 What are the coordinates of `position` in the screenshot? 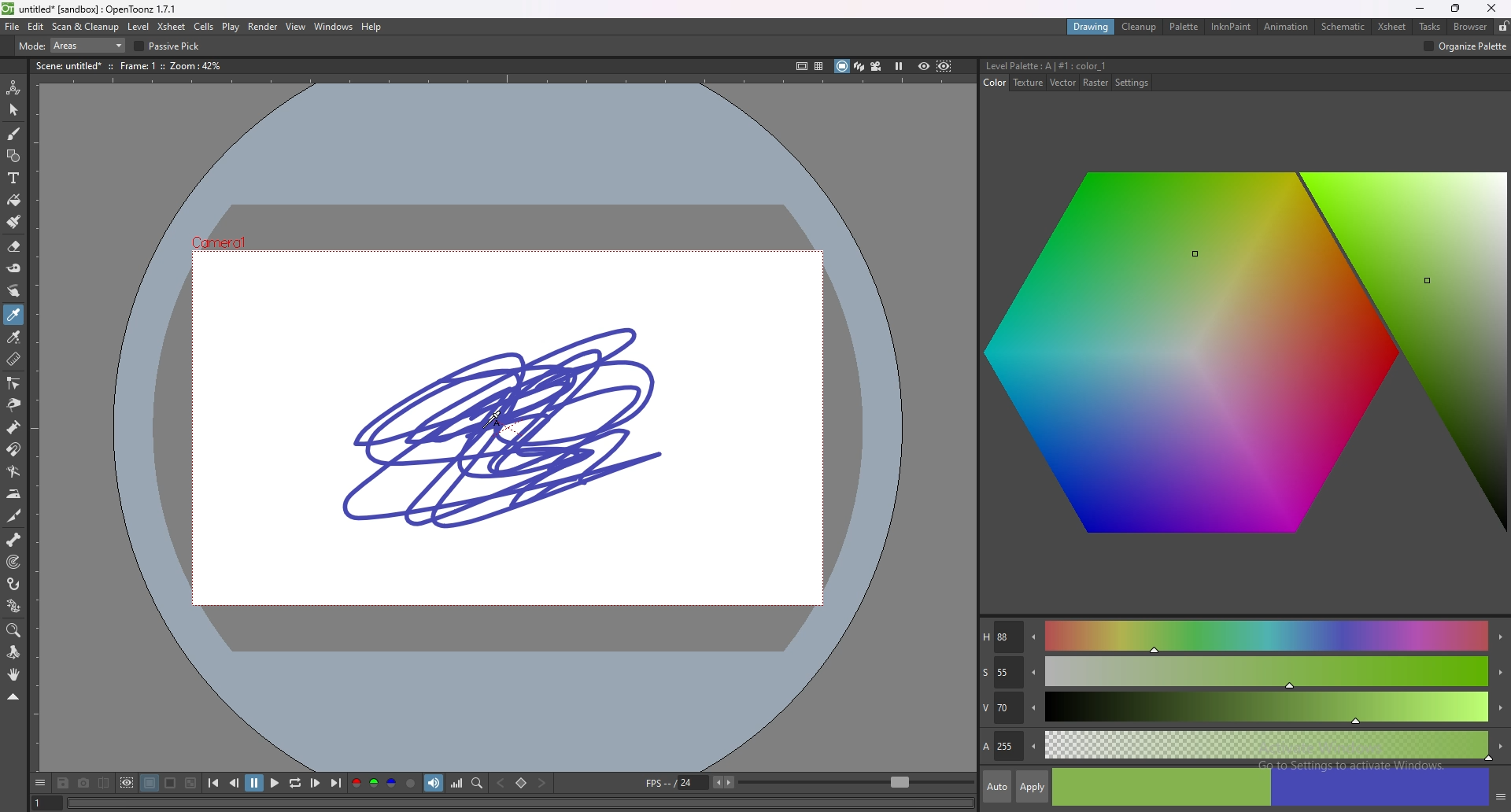 It's located at (911, 46).